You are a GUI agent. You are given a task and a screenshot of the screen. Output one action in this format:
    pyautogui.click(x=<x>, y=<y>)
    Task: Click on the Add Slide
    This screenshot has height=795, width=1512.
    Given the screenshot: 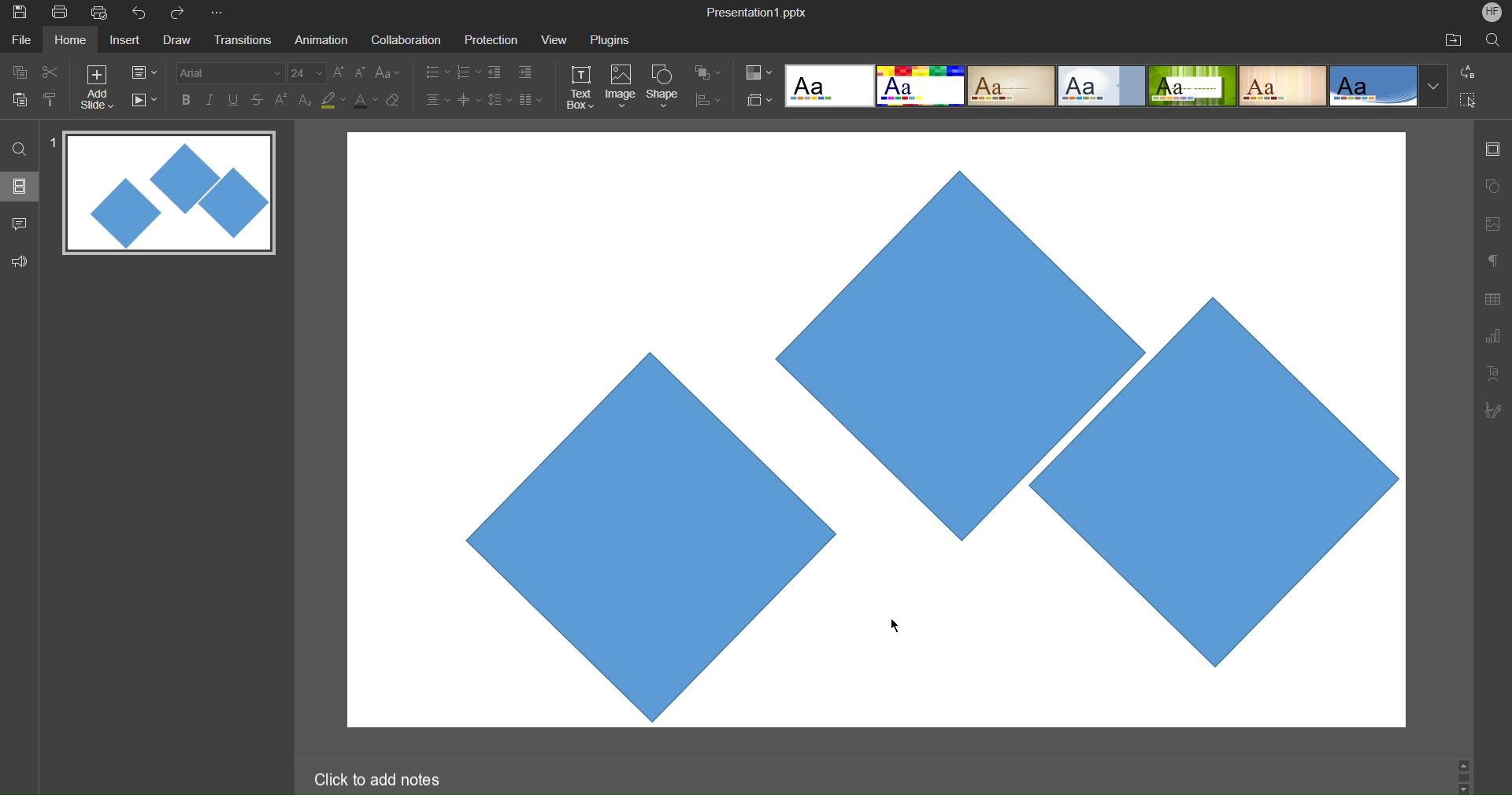 What is the action you would take?
    pyautogui.click(x=97, y=87)
    